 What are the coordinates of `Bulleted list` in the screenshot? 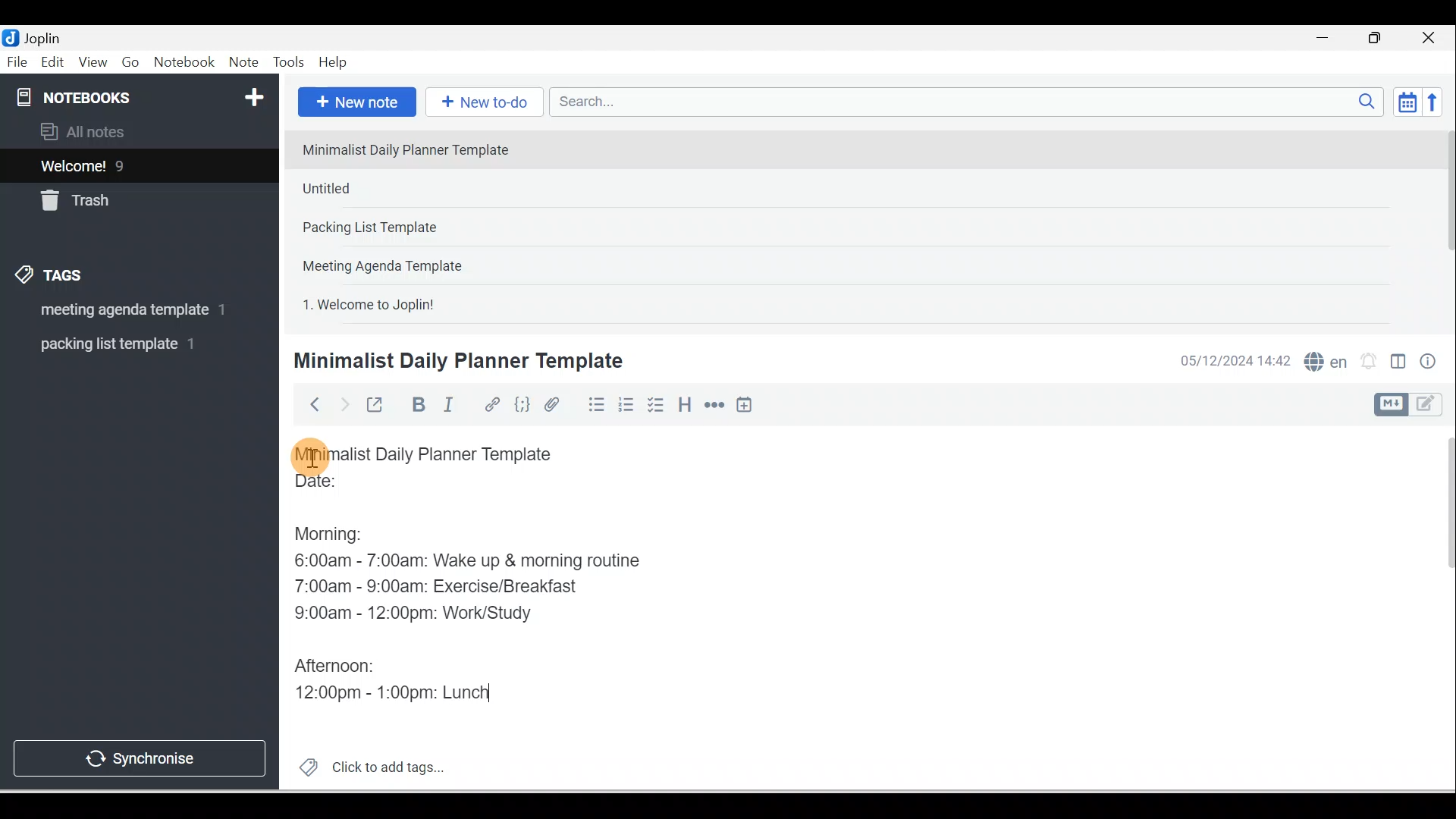 It's located at (593, 404).